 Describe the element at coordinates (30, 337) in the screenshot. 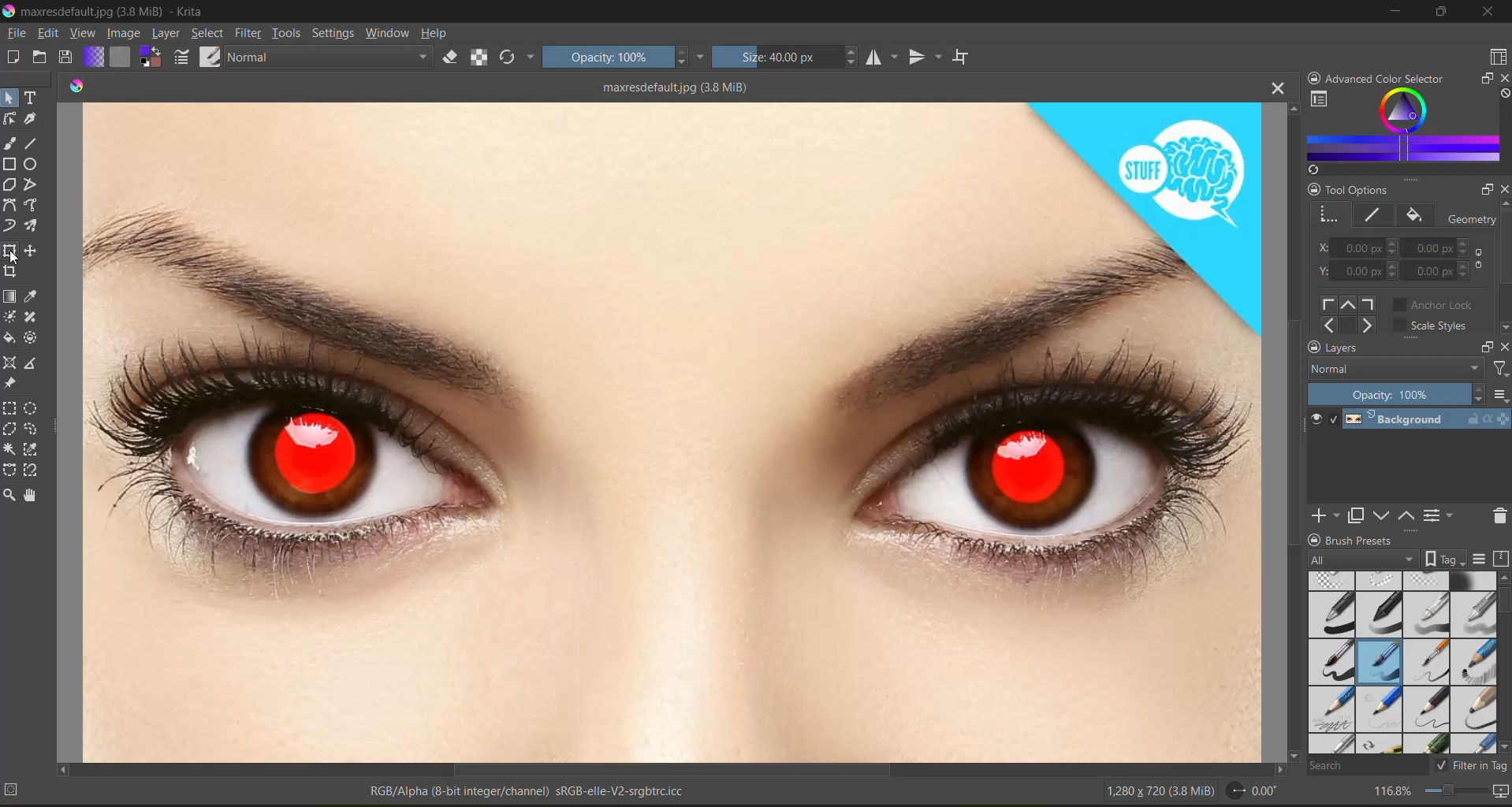

I see `tool` at that location.